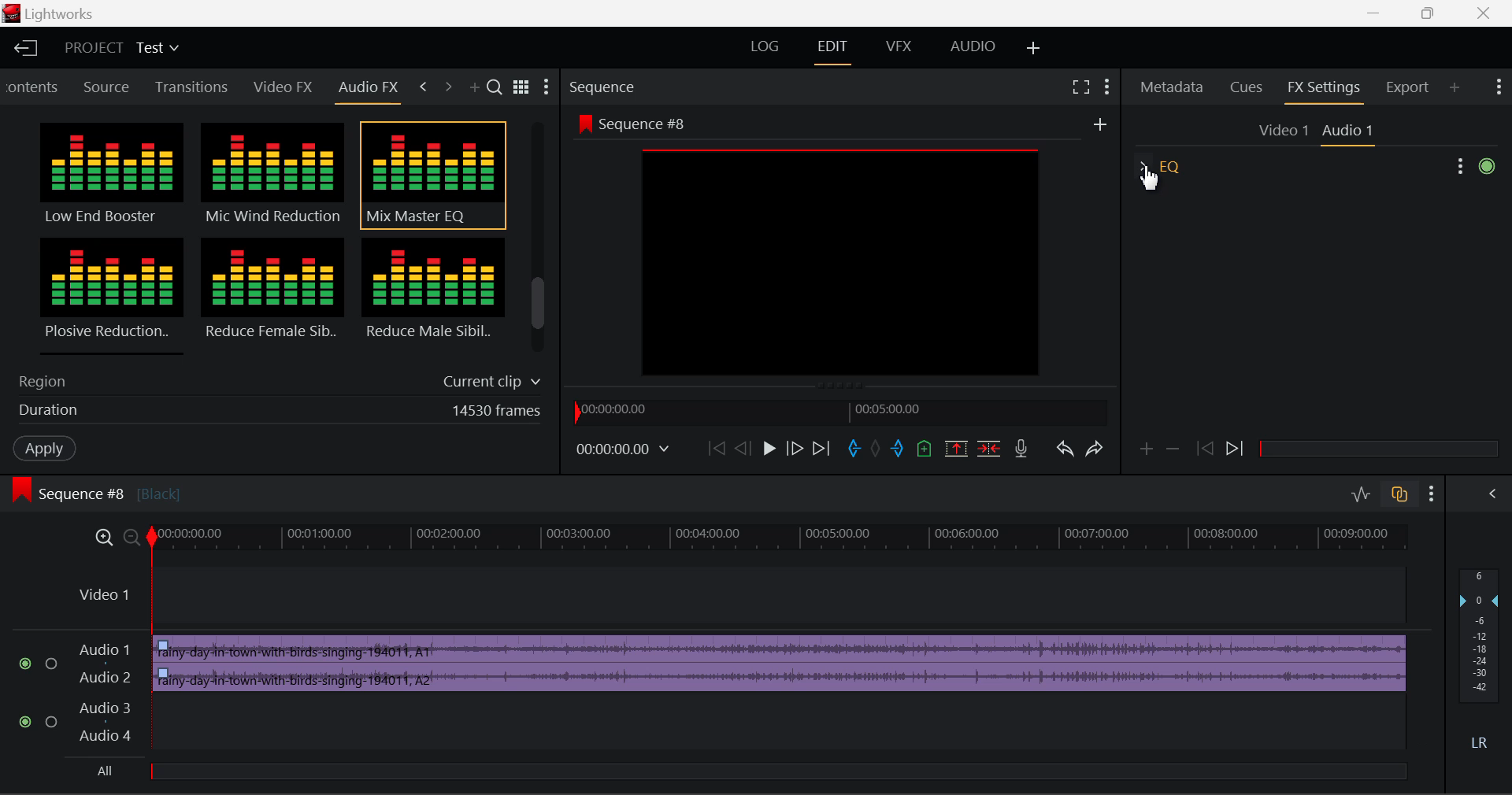  What do you see at coordinates (430, 176) in the screenshot?
I see `Mix Master EQ` at bounding box center [430, 176].